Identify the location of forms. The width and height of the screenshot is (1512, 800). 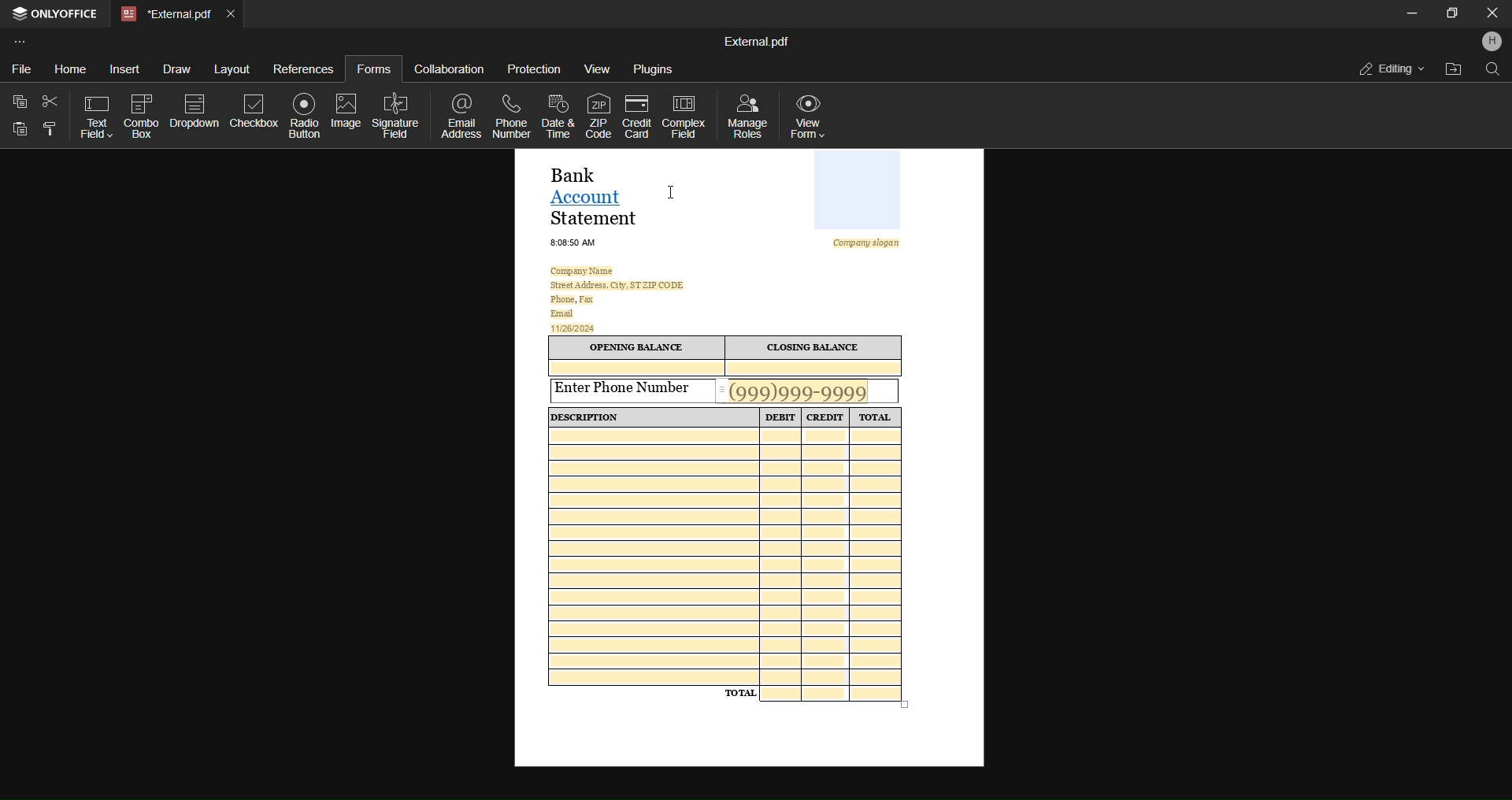
(371, 69).